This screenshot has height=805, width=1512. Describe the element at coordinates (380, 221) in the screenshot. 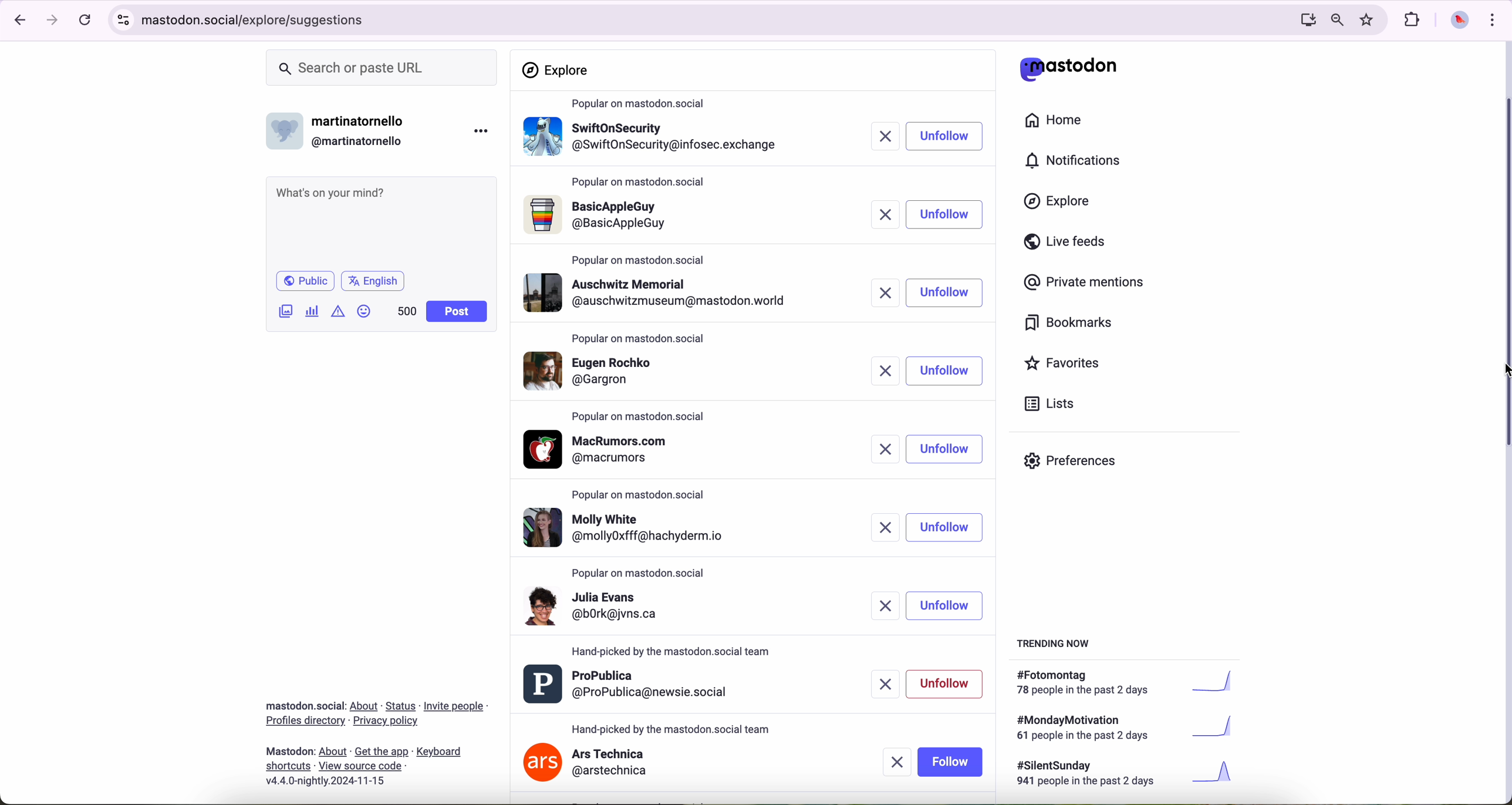

I see `what's on your mind?` at that location.